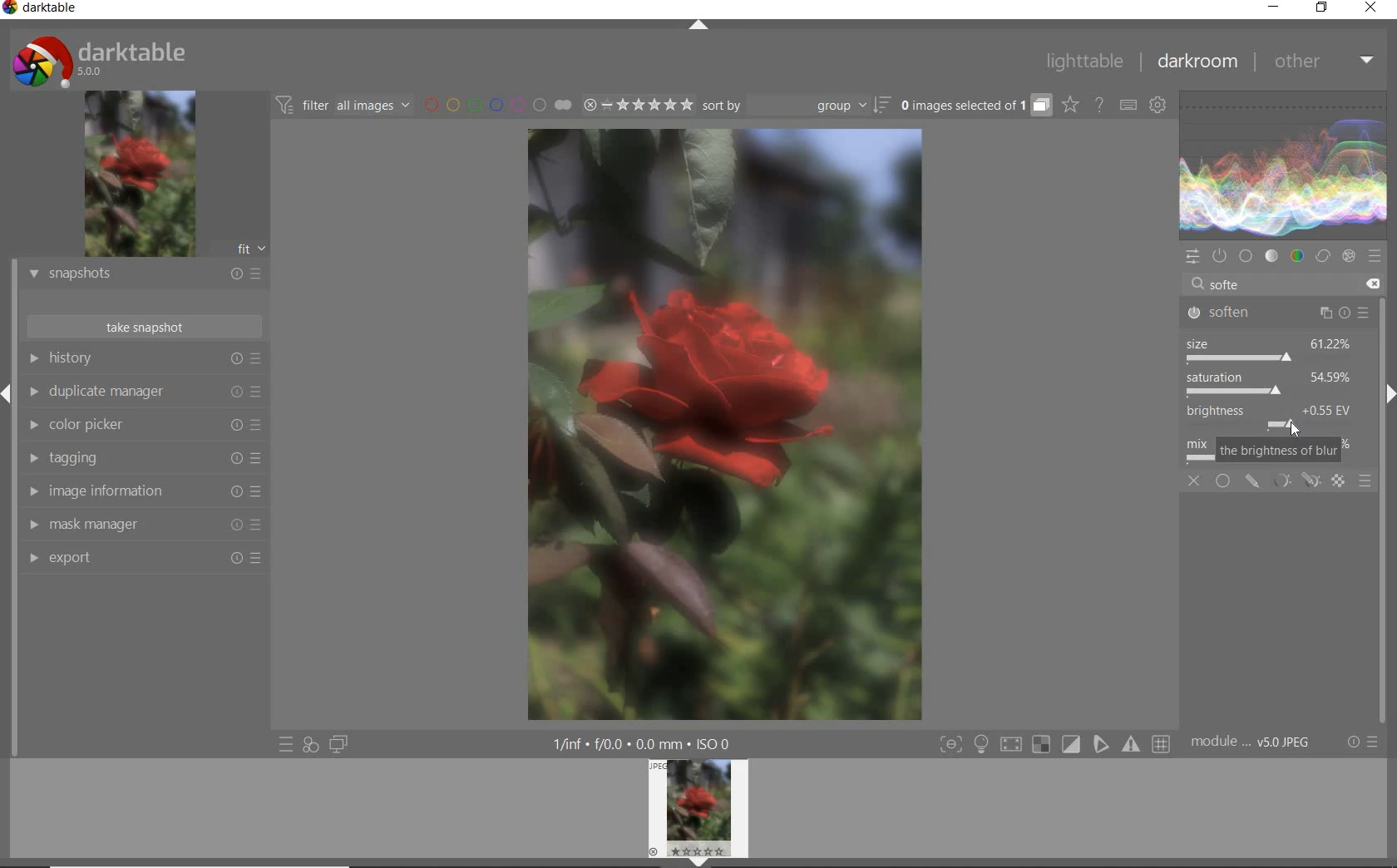  What do you see at coordinates (102, 59) in the screenshot?
I see `system logo` at bounding box center [102, 59].